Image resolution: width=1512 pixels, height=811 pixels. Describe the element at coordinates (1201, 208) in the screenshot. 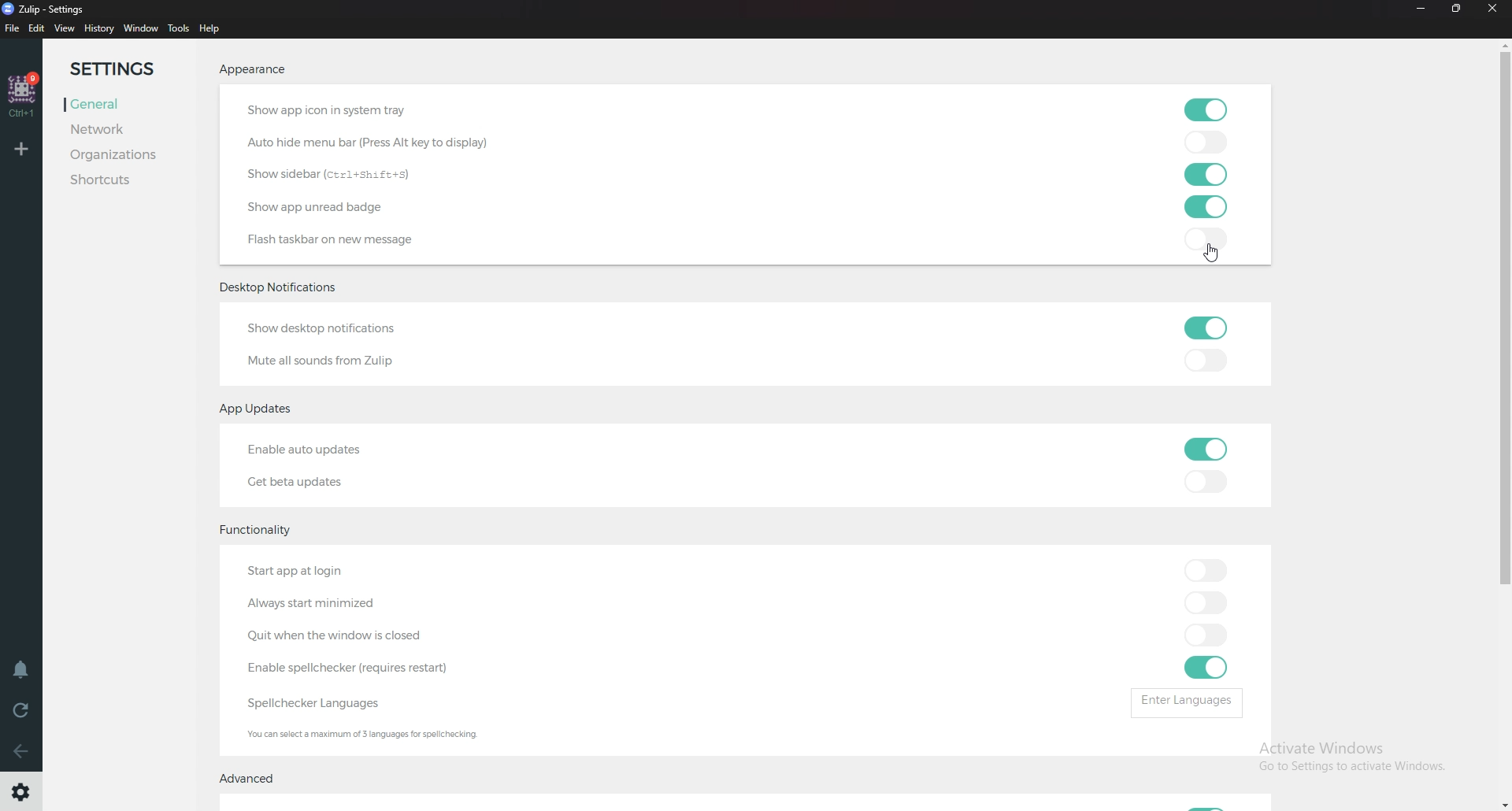

I see `toggle` at that location.